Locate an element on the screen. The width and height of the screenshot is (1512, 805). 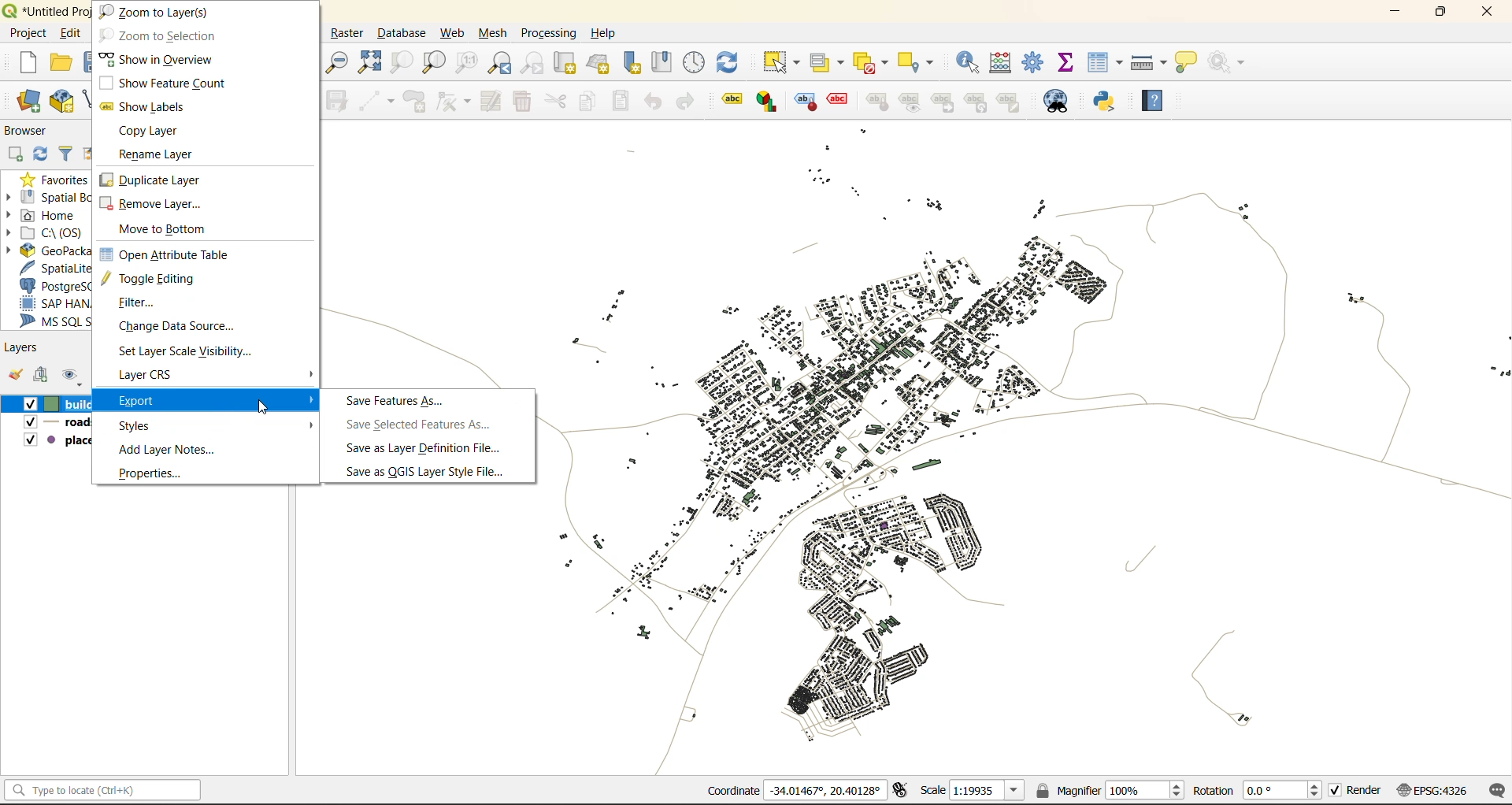
save selected features as is located at coordinates (417, 424).